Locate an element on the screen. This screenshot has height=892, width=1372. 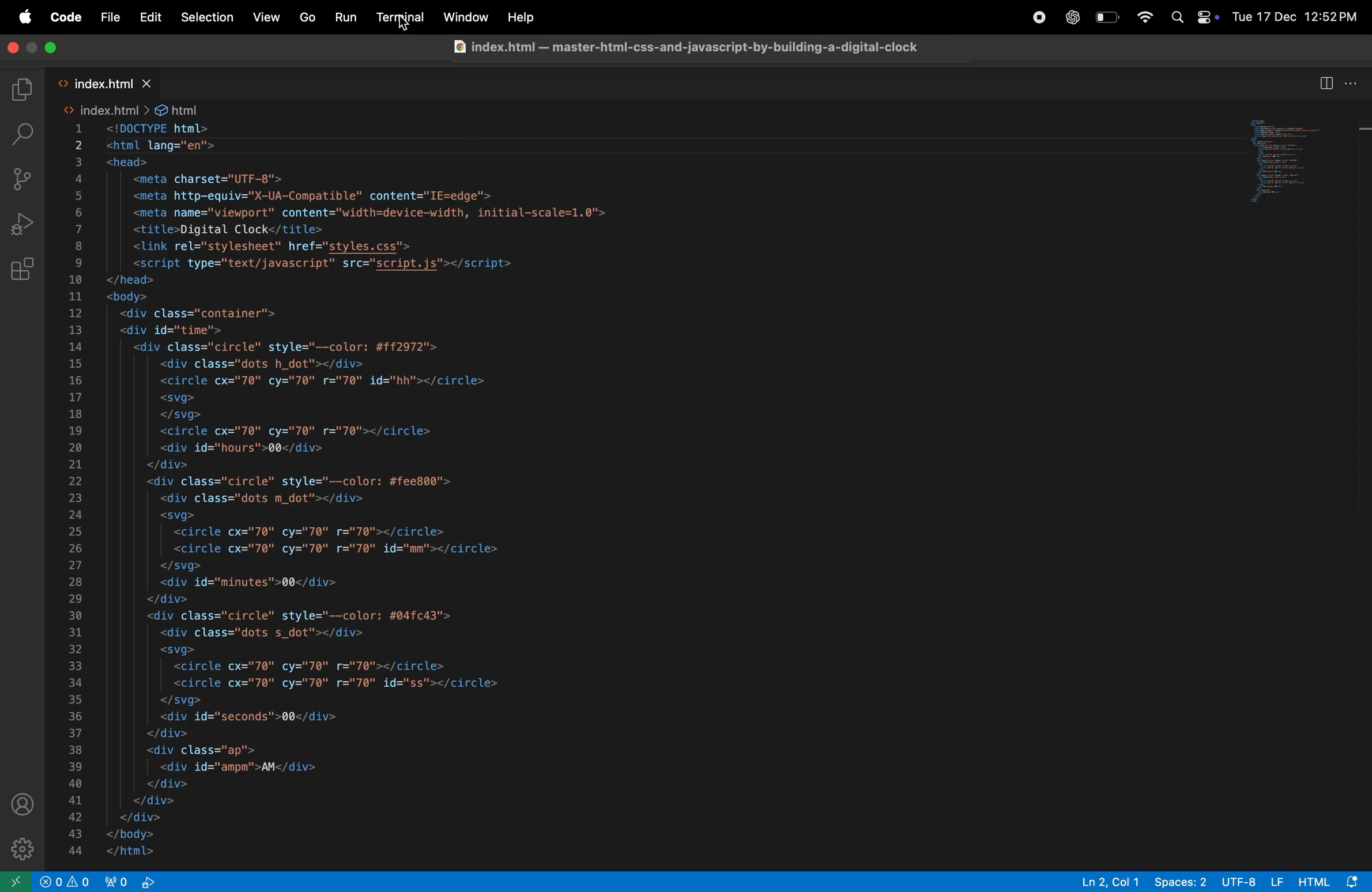
Run debug is located at coordinates (25, 222).